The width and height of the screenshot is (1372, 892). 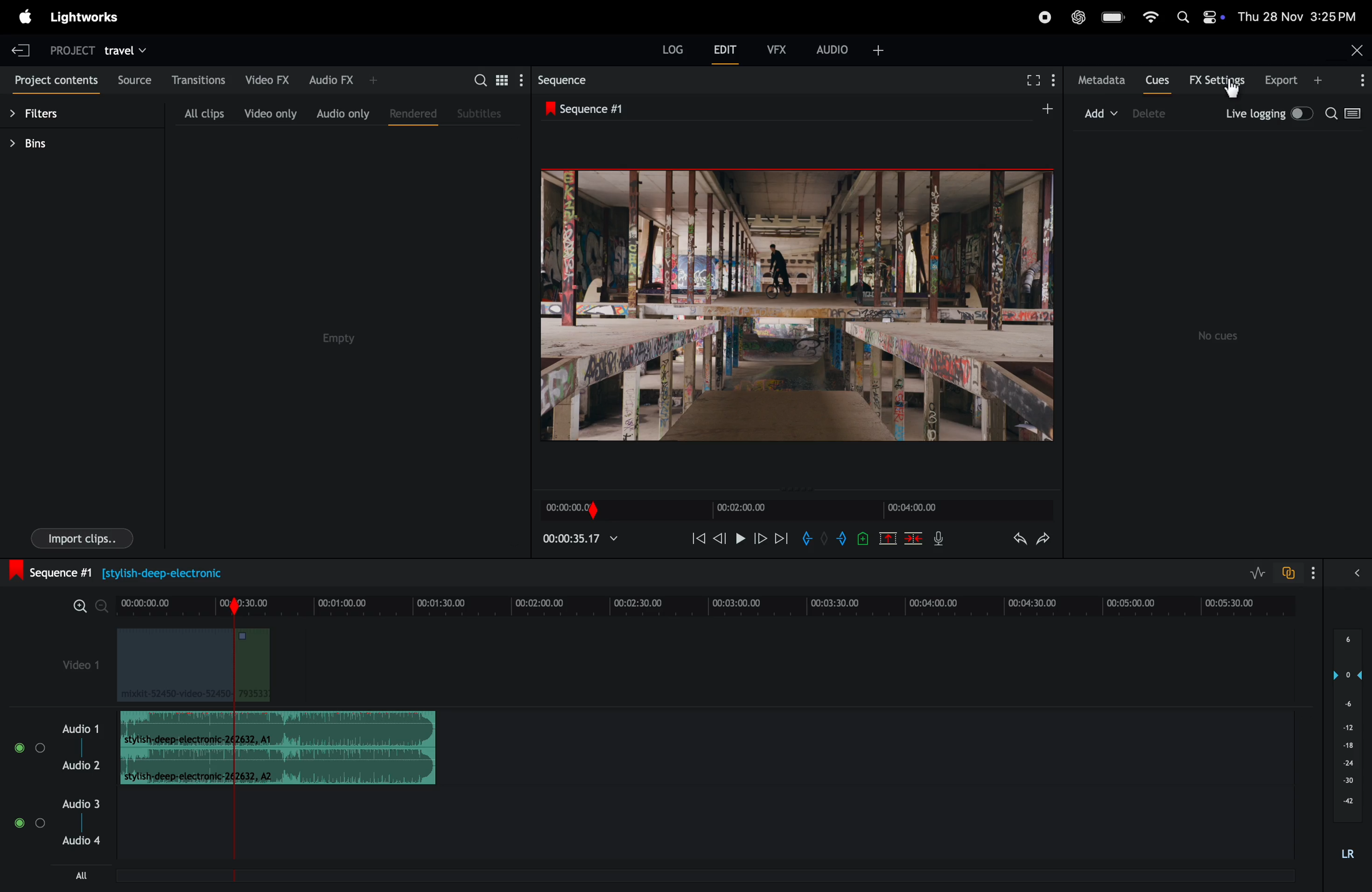 I want to click on exit, so click(x=21, y=48).